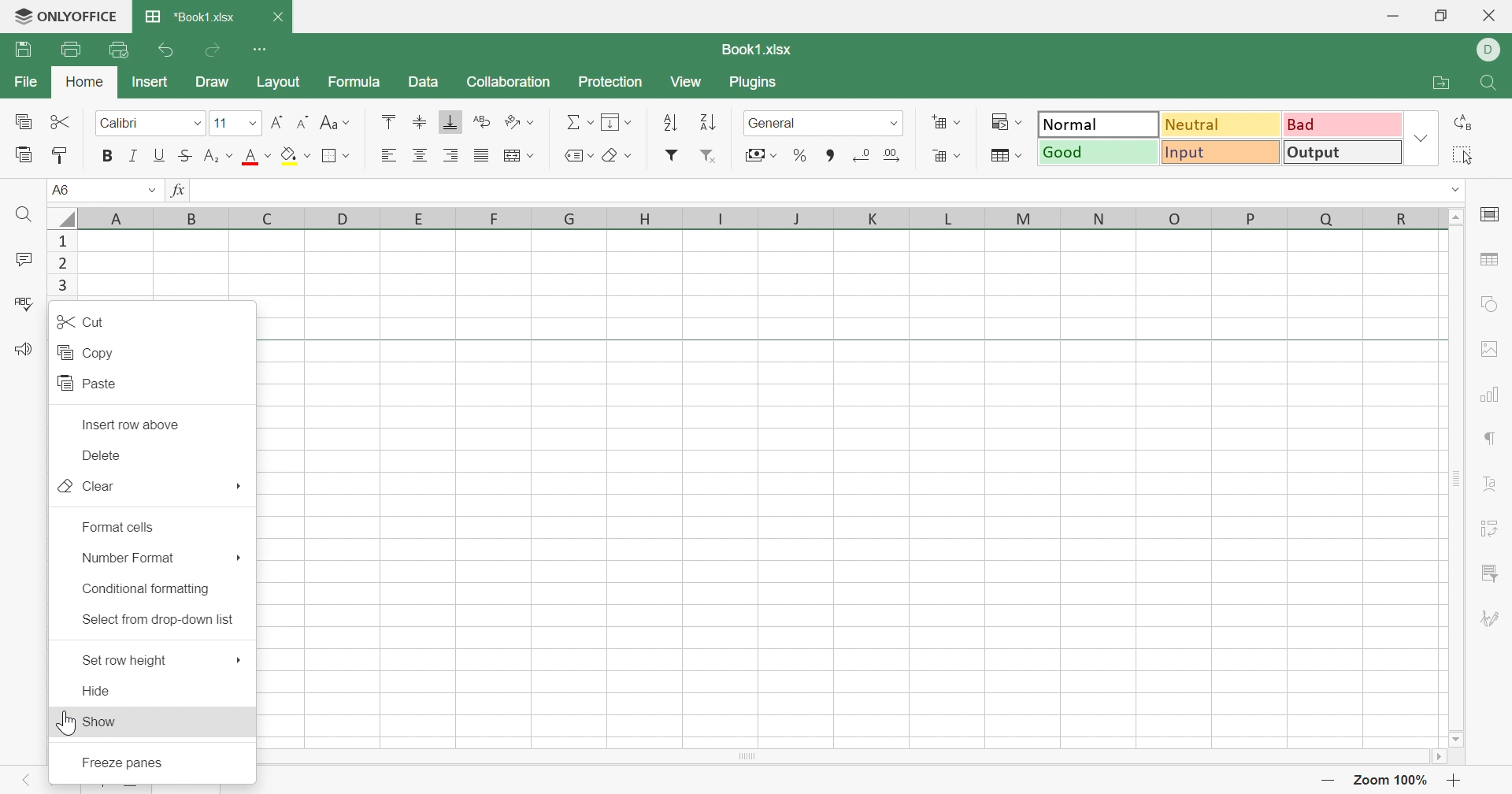 The height and width of the screenshot is (794, 1512). What do you see at coordinates (1454, 217) in the screenshot?
I see `Scroll Up` at bounding box center [1454, 217].